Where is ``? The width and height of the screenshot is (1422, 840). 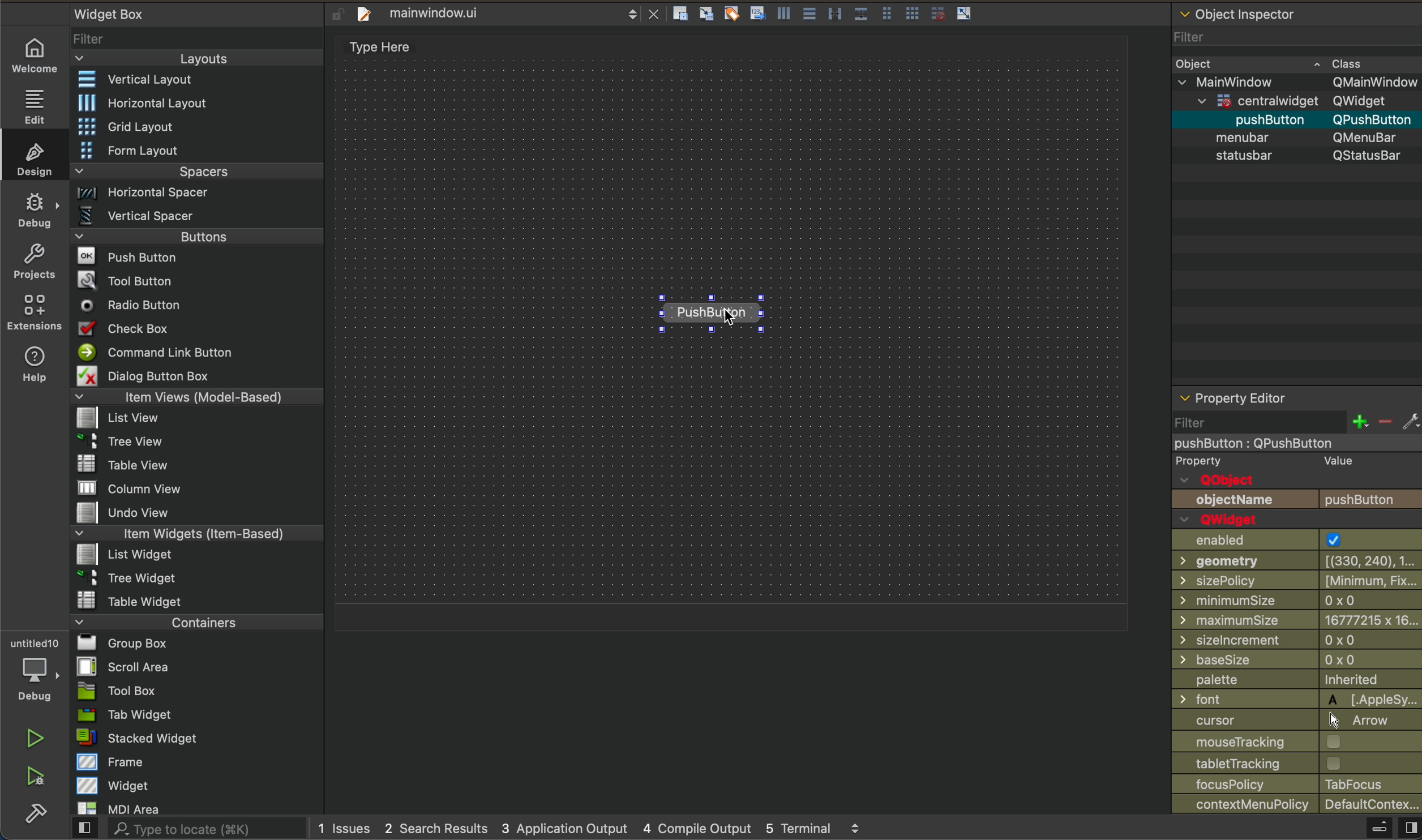
 is located at coordinates (601, 830).